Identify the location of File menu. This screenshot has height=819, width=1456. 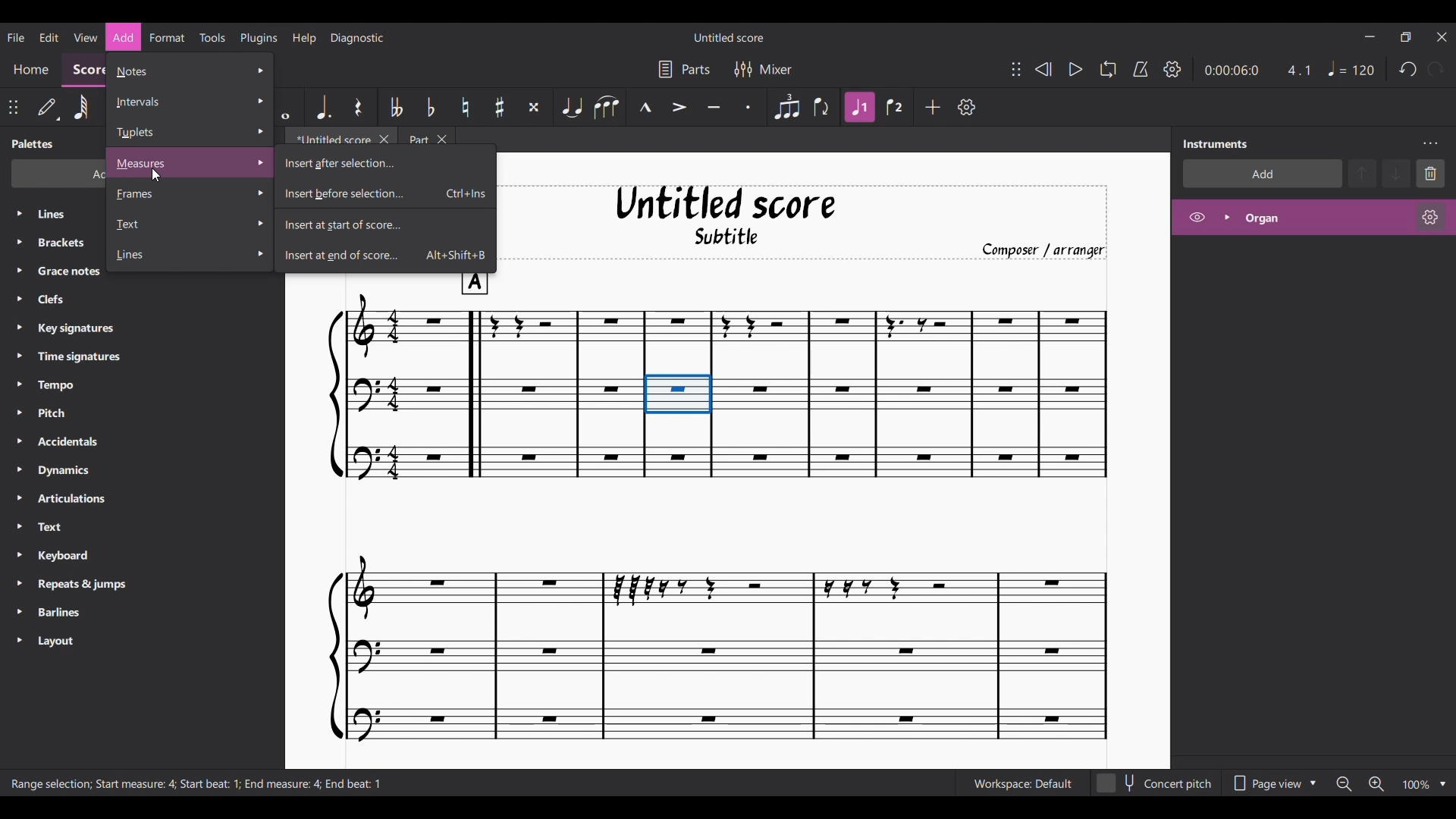
(16, 37).